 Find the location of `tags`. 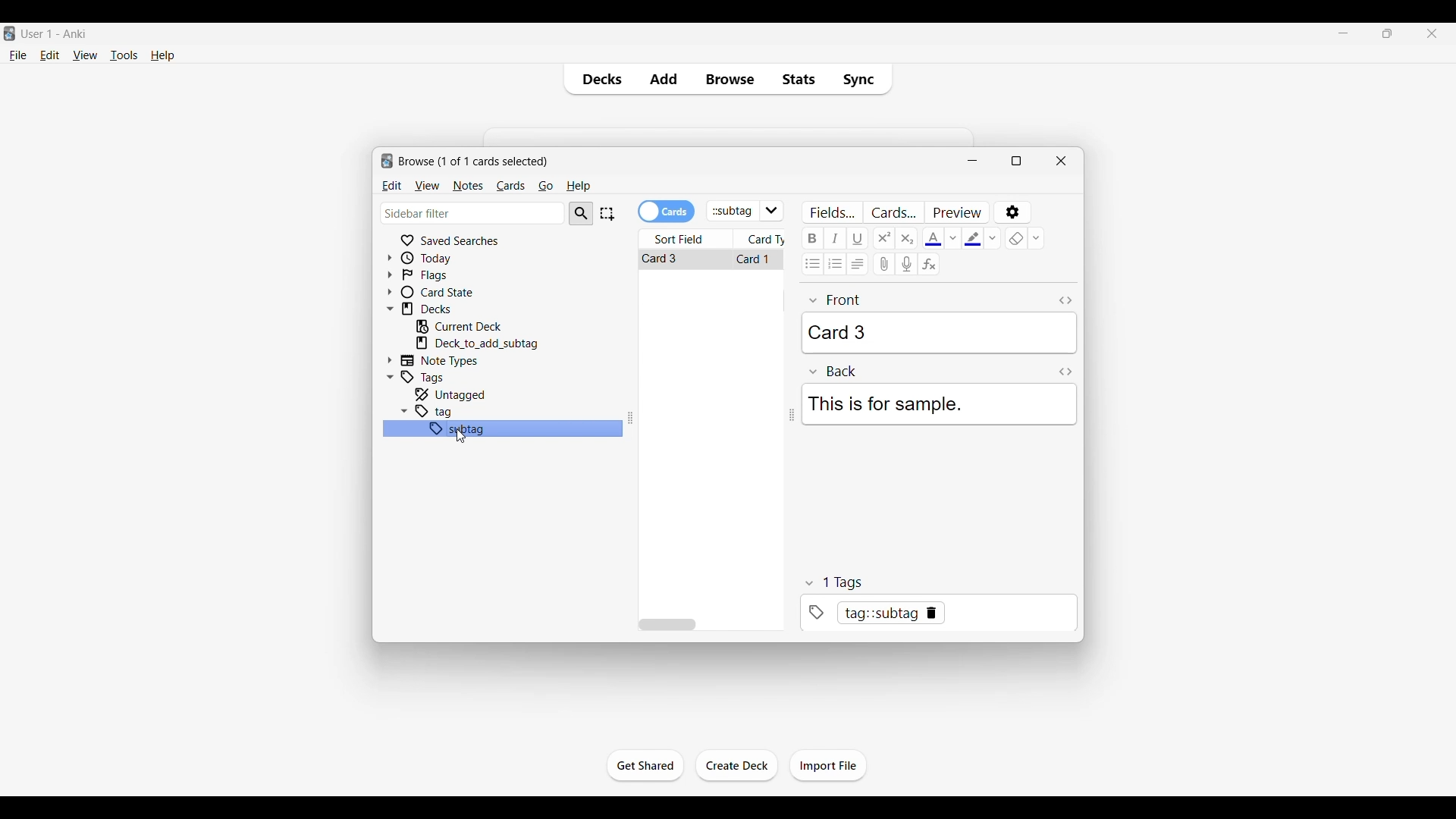

tags is located at coordinates (839, 582).